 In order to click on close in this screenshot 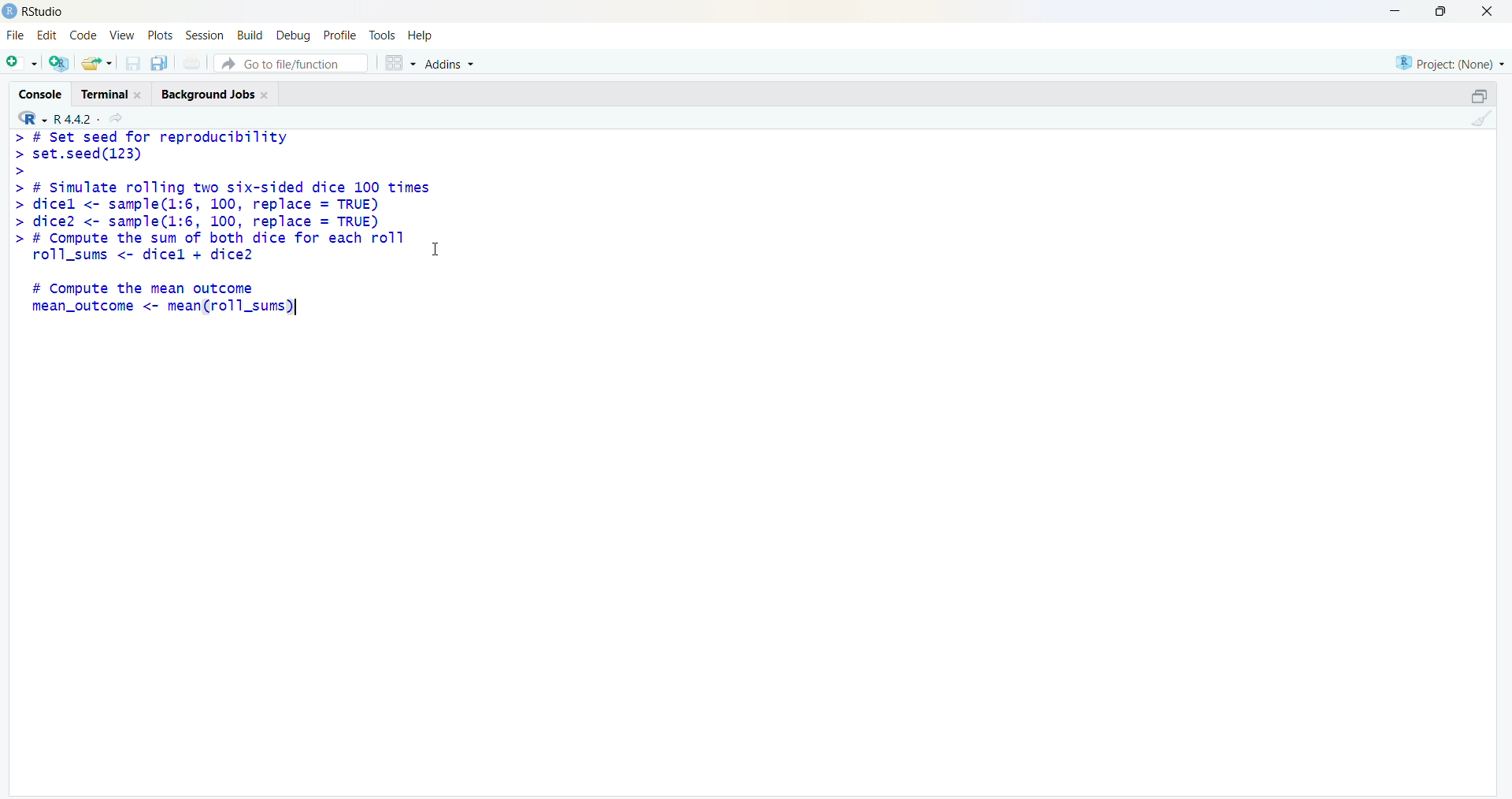, I will do `click(1488, 10)`.